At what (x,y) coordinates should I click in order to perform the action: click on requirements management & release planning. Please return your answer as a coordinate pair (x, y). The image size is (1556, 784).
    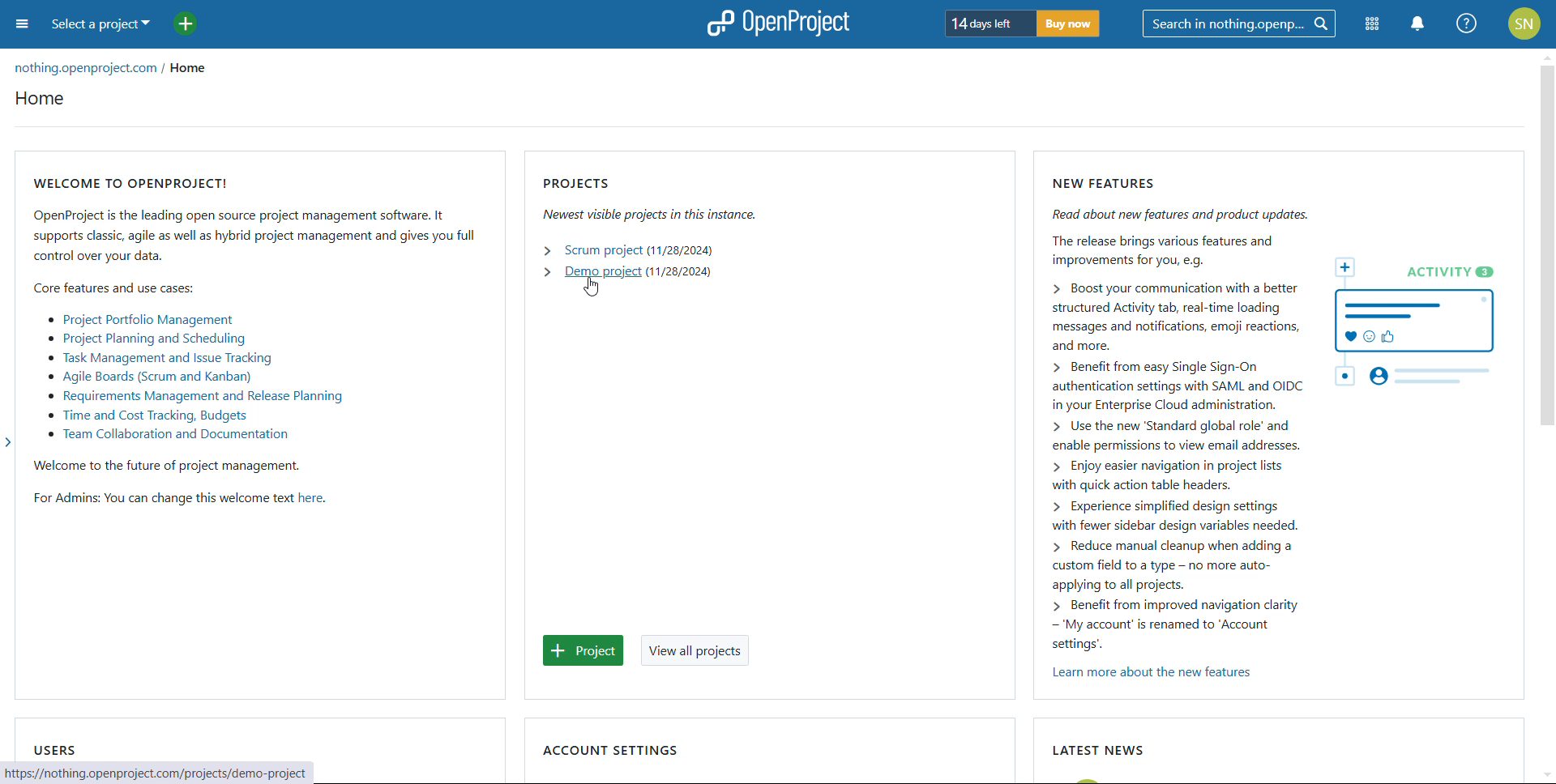
    Looking at the image, I should click on (194, 396).